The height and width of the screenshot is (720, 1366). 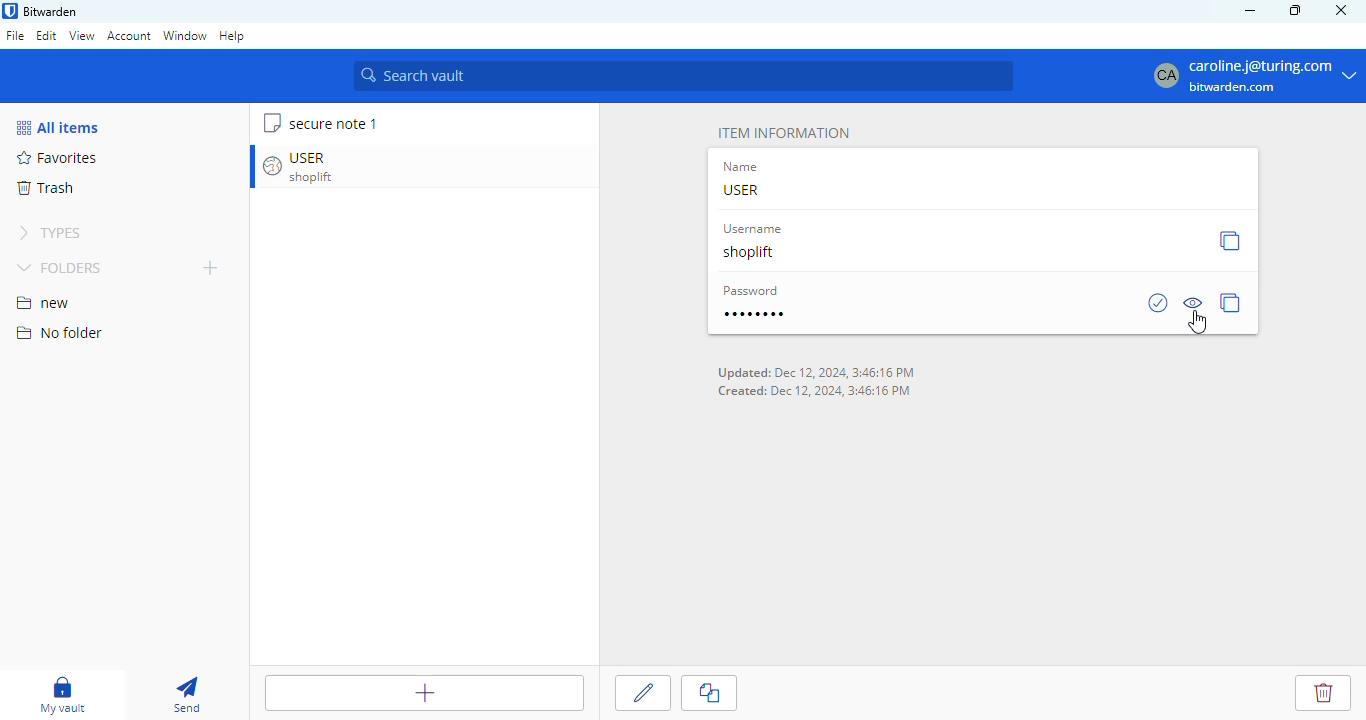 What do you see at coordinates (15, 35) in the screenshot?
I see `file` at bounding box center [15, 35].